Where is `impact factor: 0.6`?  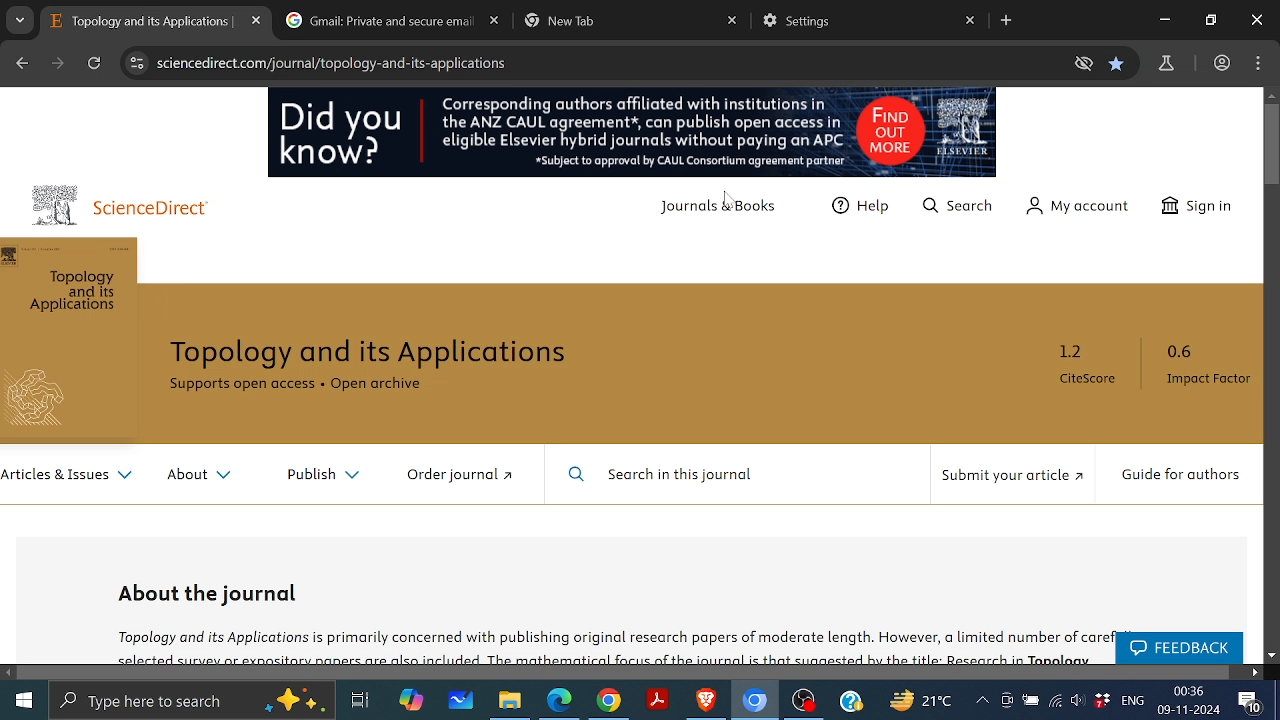
impact factor: 0.6 is located at coordinates (1200, 364).